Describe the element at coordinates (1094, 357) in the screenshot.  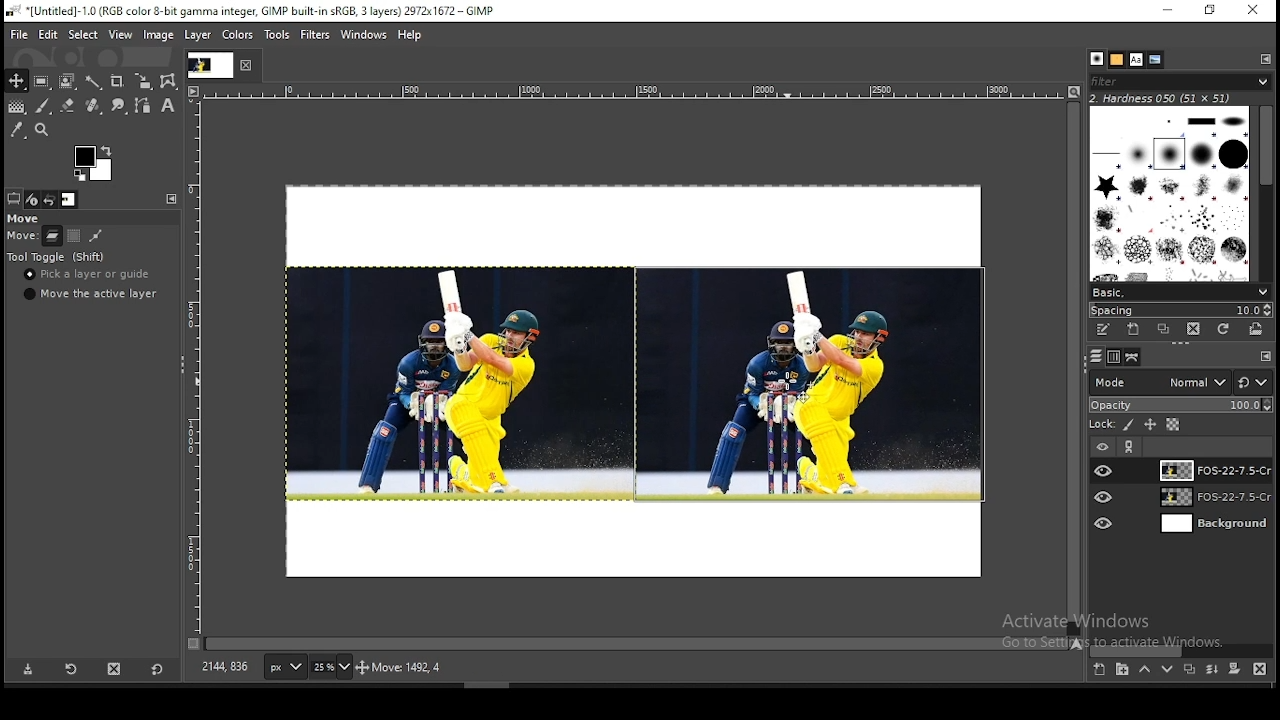
I see `layers` at that location.